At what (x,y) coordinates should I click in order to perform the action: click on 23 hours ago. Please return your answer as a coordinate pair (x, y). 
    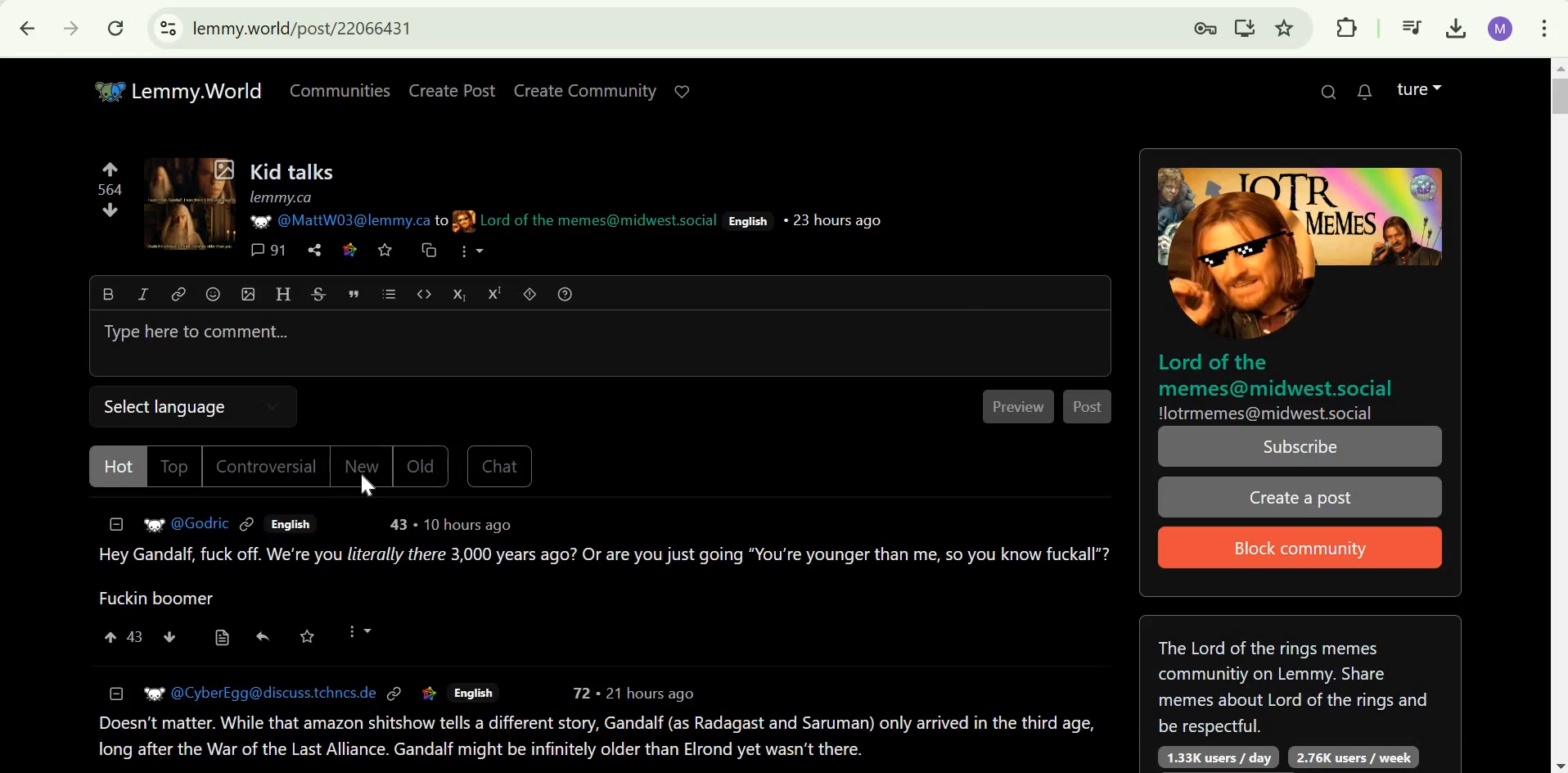
    Looking at the image, I should click on (835, 219).